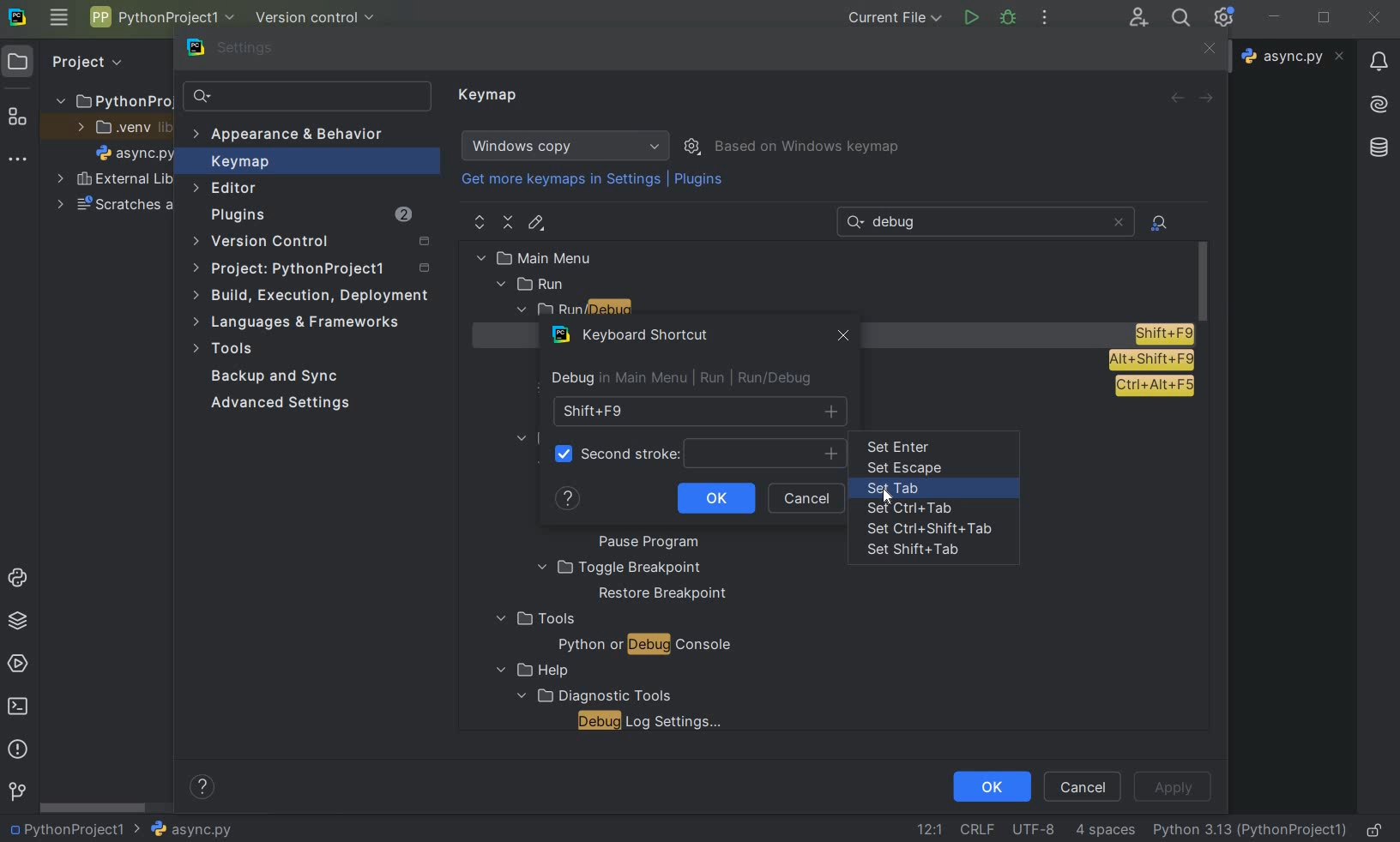 The width and height of the screenshot is (1400, 842). I want to click on version control, so click(321, 19).